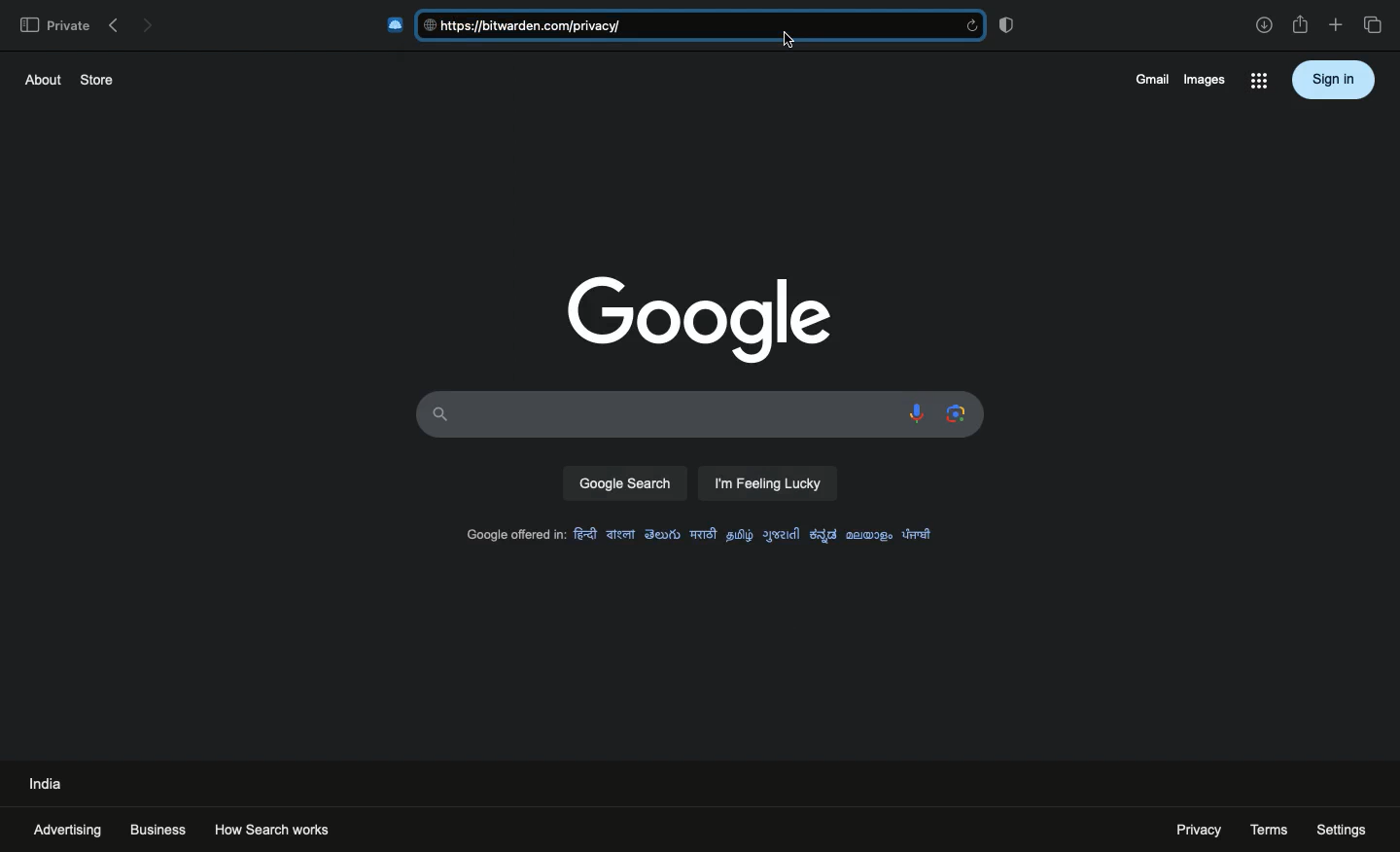 The image size is (1400, 852). Describe the element at coordinates (1335, 25) in the screenshot. I see `Add tab` at that location.